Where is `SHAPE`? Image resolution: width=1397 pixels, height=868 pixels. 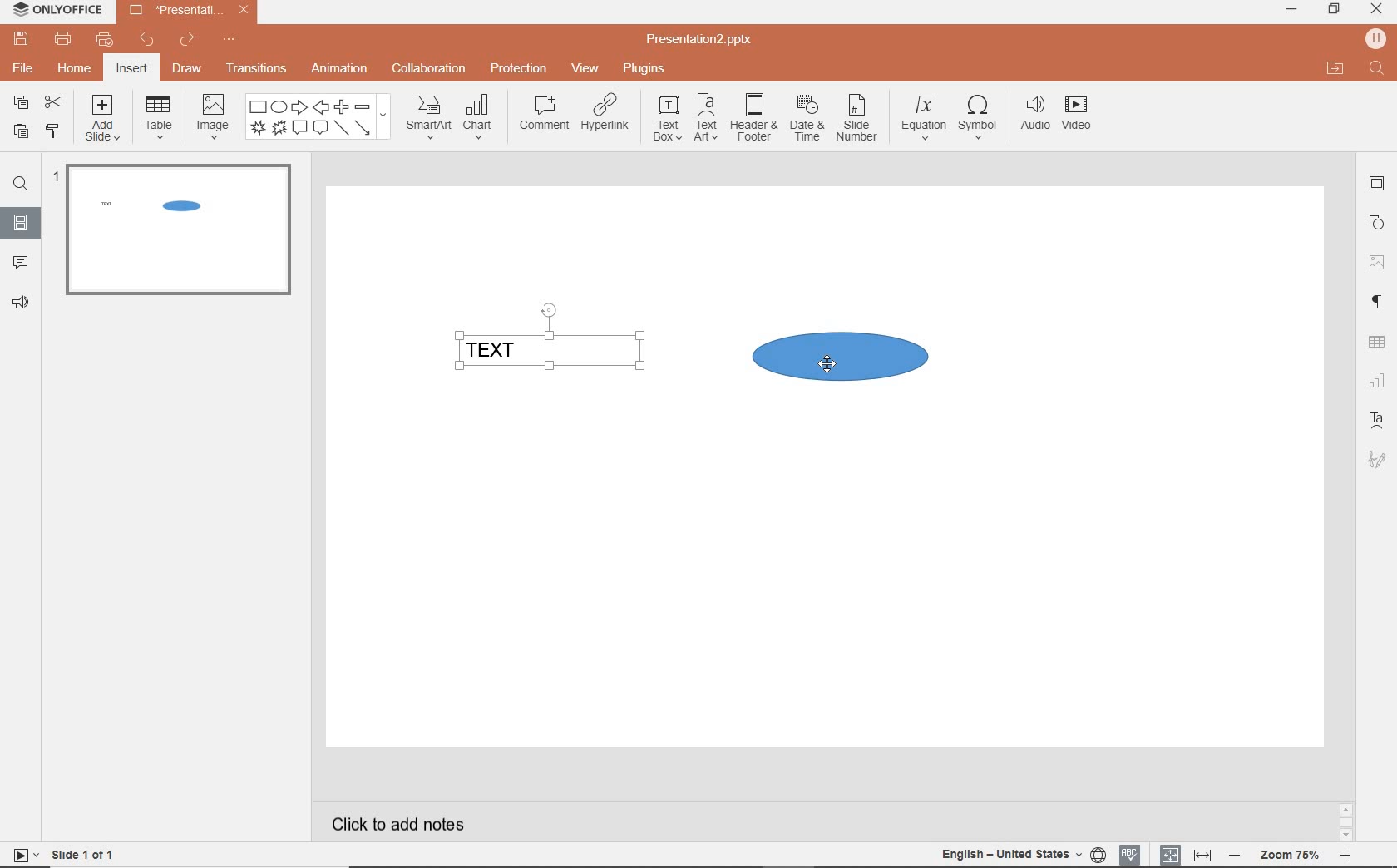 SHAPE is located at coordinates (838, 356).